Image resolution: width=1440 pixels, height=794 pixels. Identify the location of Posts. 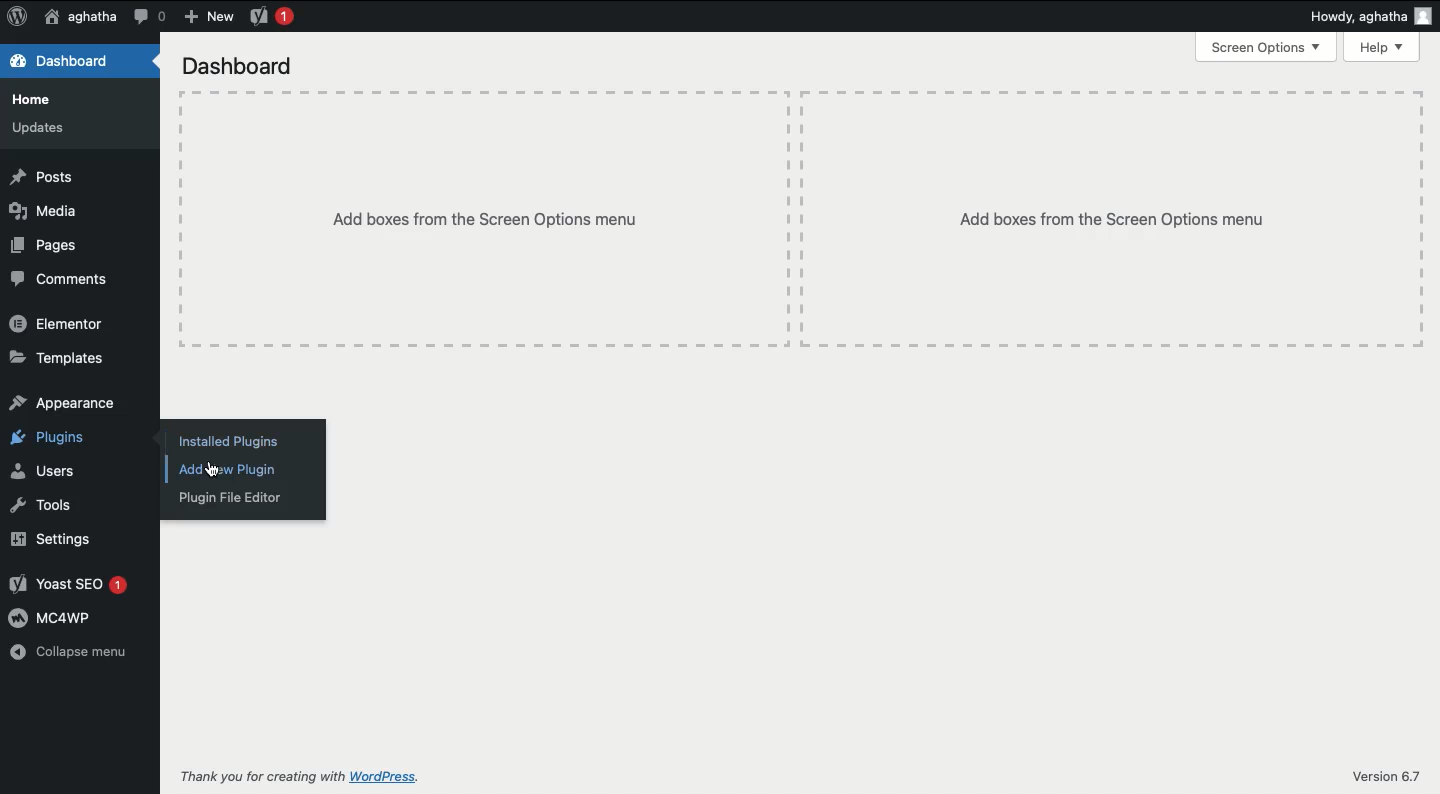
(40, 176).